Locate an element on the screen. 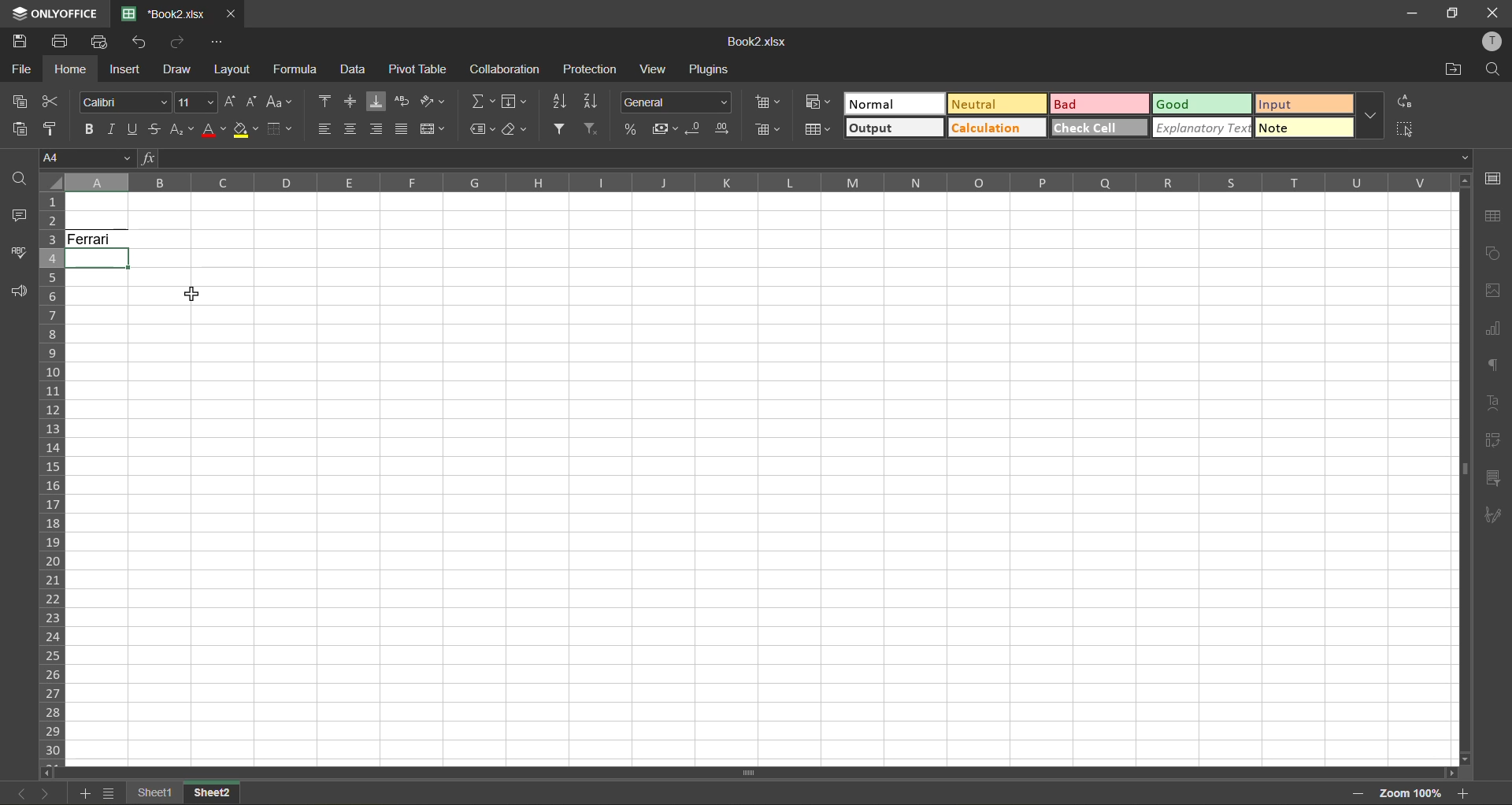 This screenshot has height=805, width=1512. font size is located at coordinates (198, 101).